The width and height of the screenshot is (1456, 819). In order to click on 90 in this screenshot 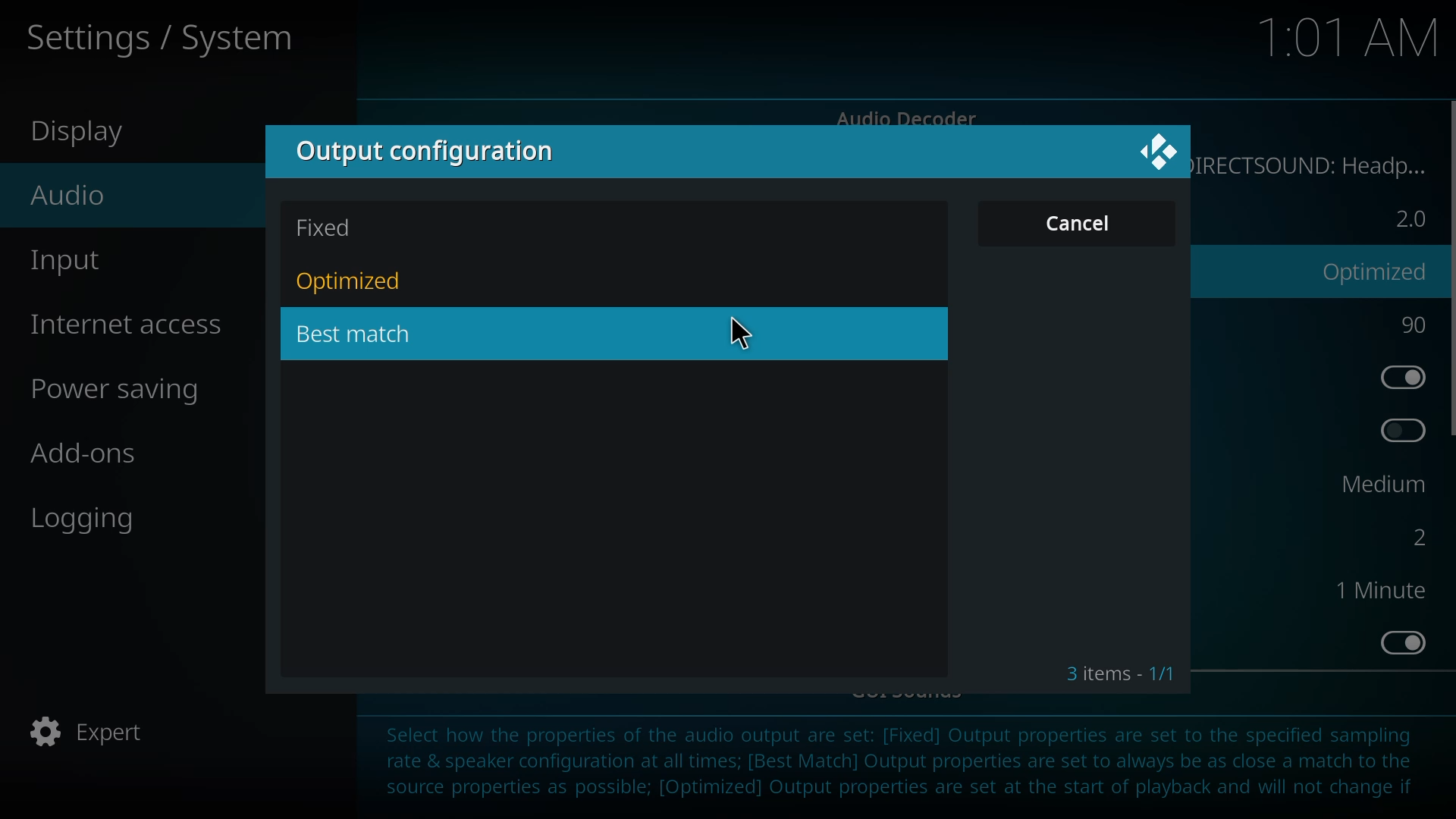, I will do `click(1413, 324)`.